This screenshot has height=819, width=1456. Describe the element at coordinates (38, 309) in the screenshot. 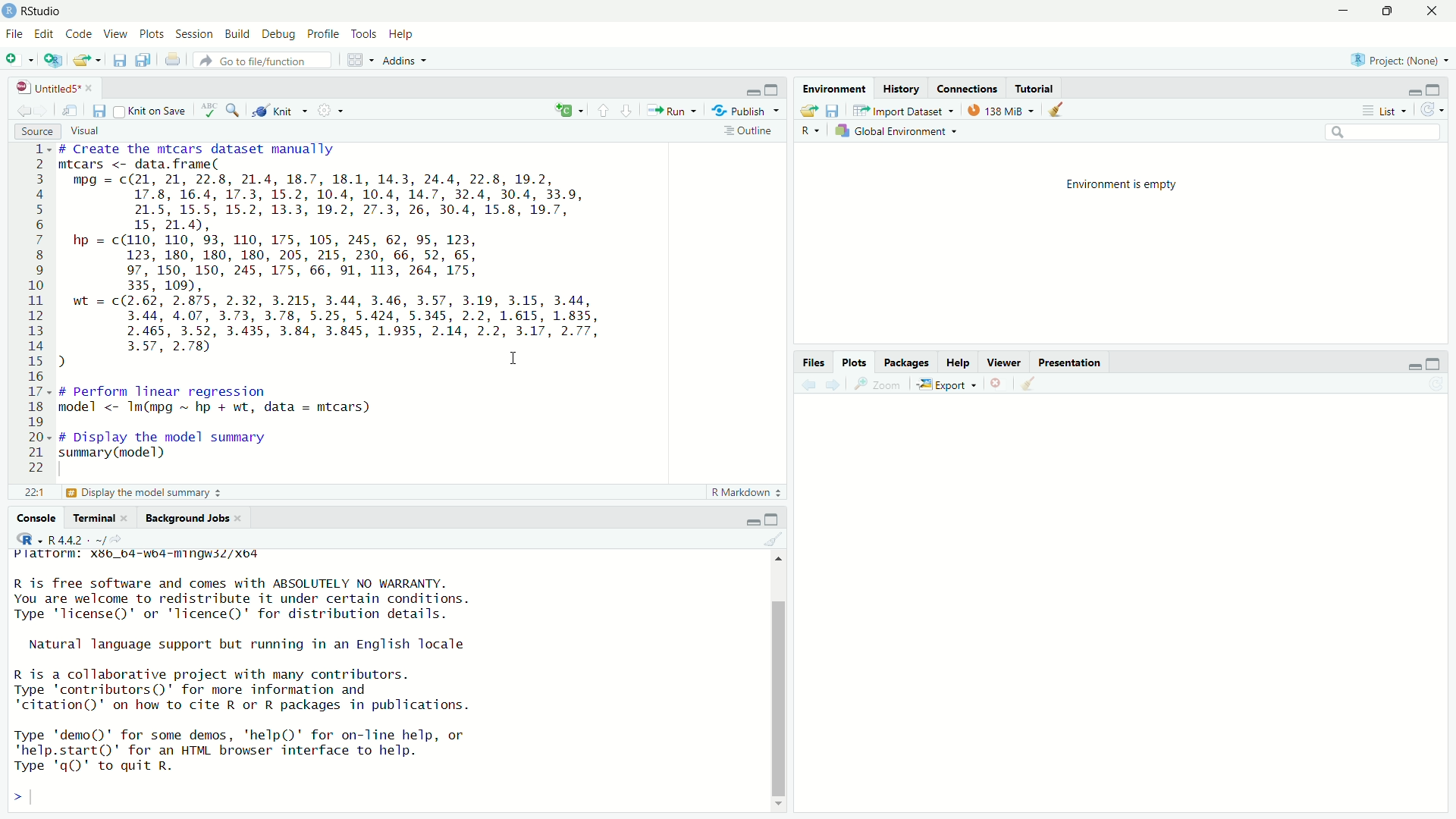

I see `line numbers` at that location.